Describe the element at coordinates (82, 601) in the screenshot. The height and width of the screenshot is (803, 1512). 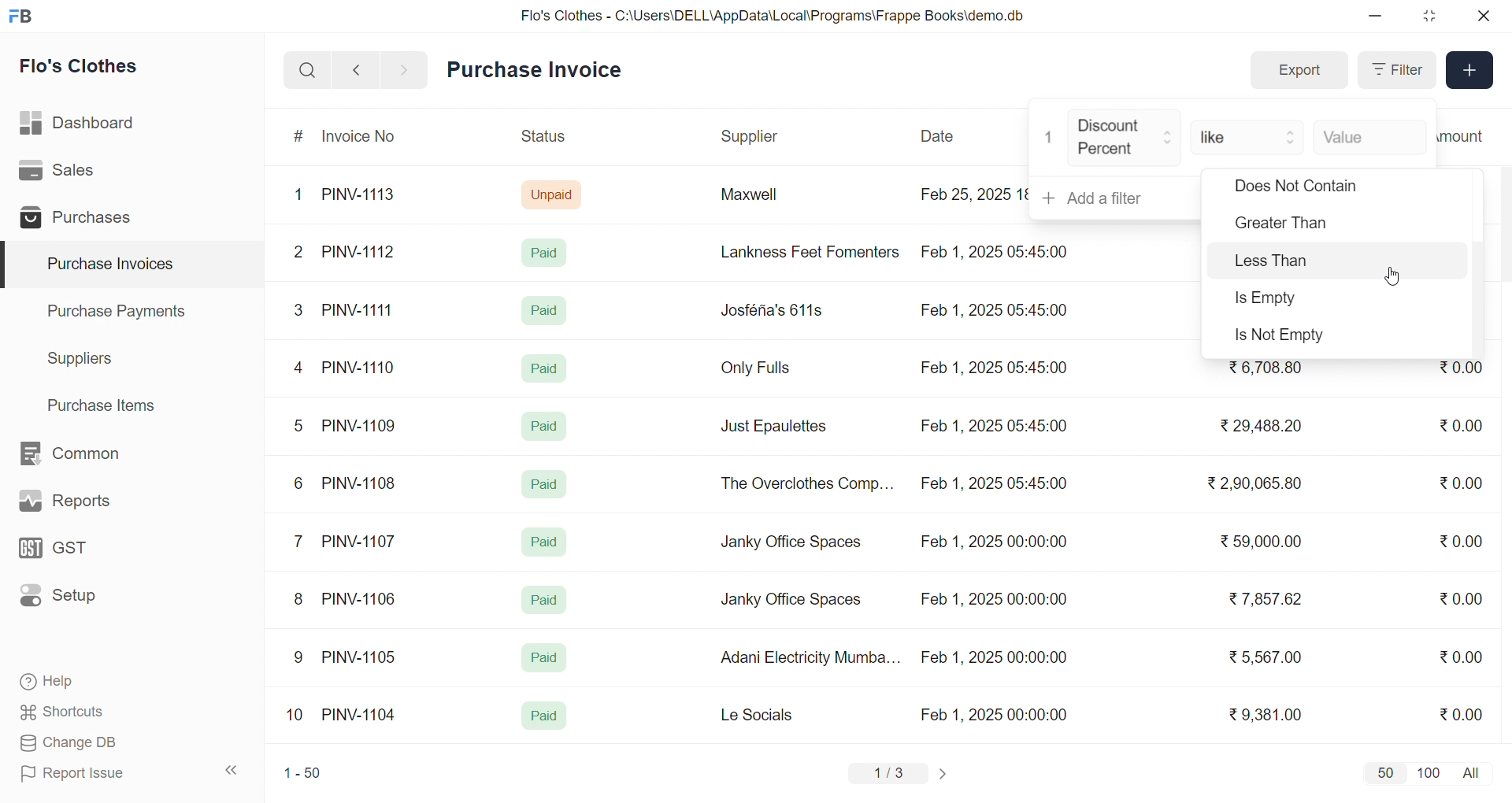
I see `Setup` at that location.